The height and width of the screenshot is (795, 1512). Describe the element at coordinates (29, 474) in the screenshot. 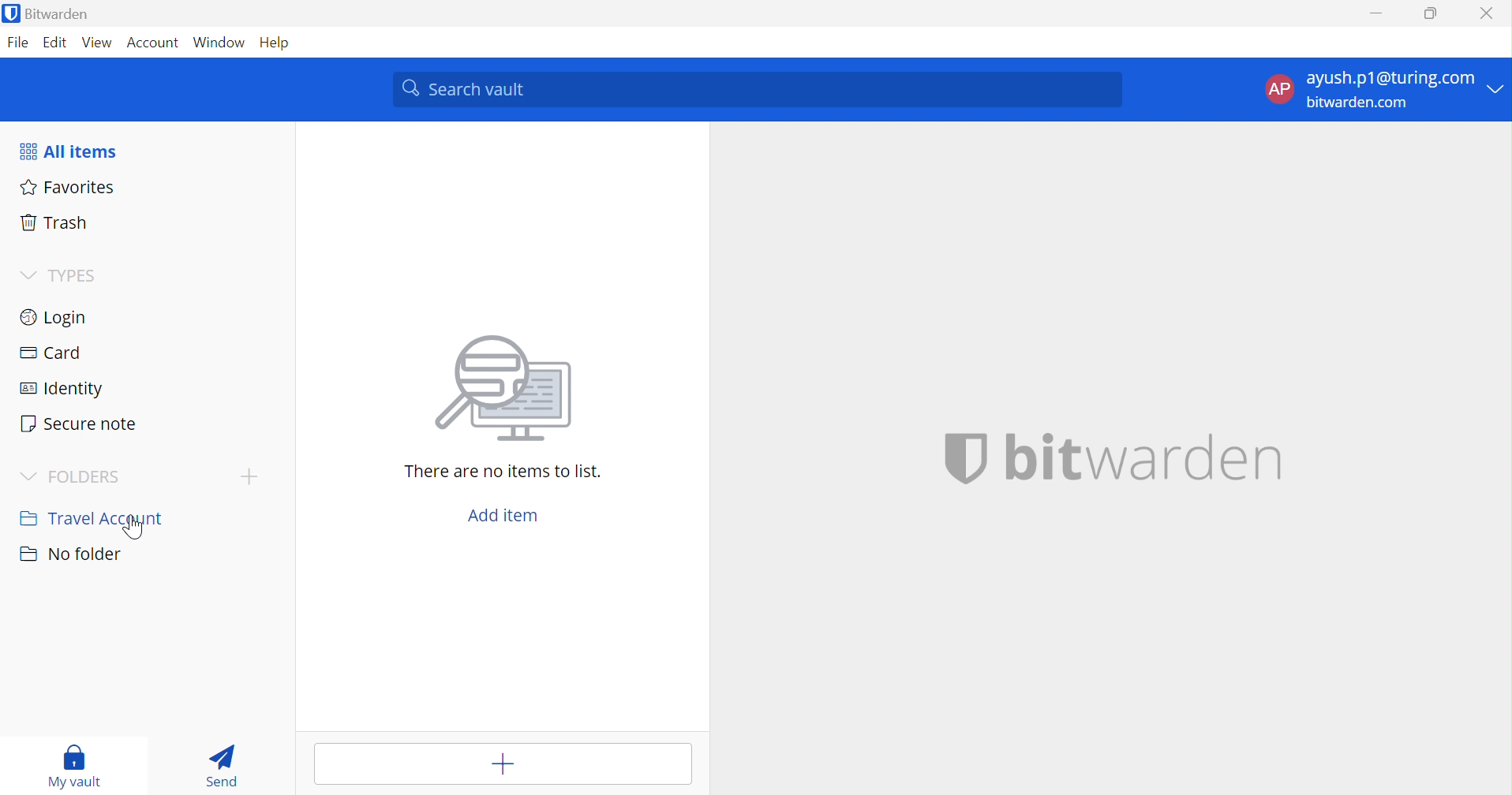

I see `Drop Down` at that location.